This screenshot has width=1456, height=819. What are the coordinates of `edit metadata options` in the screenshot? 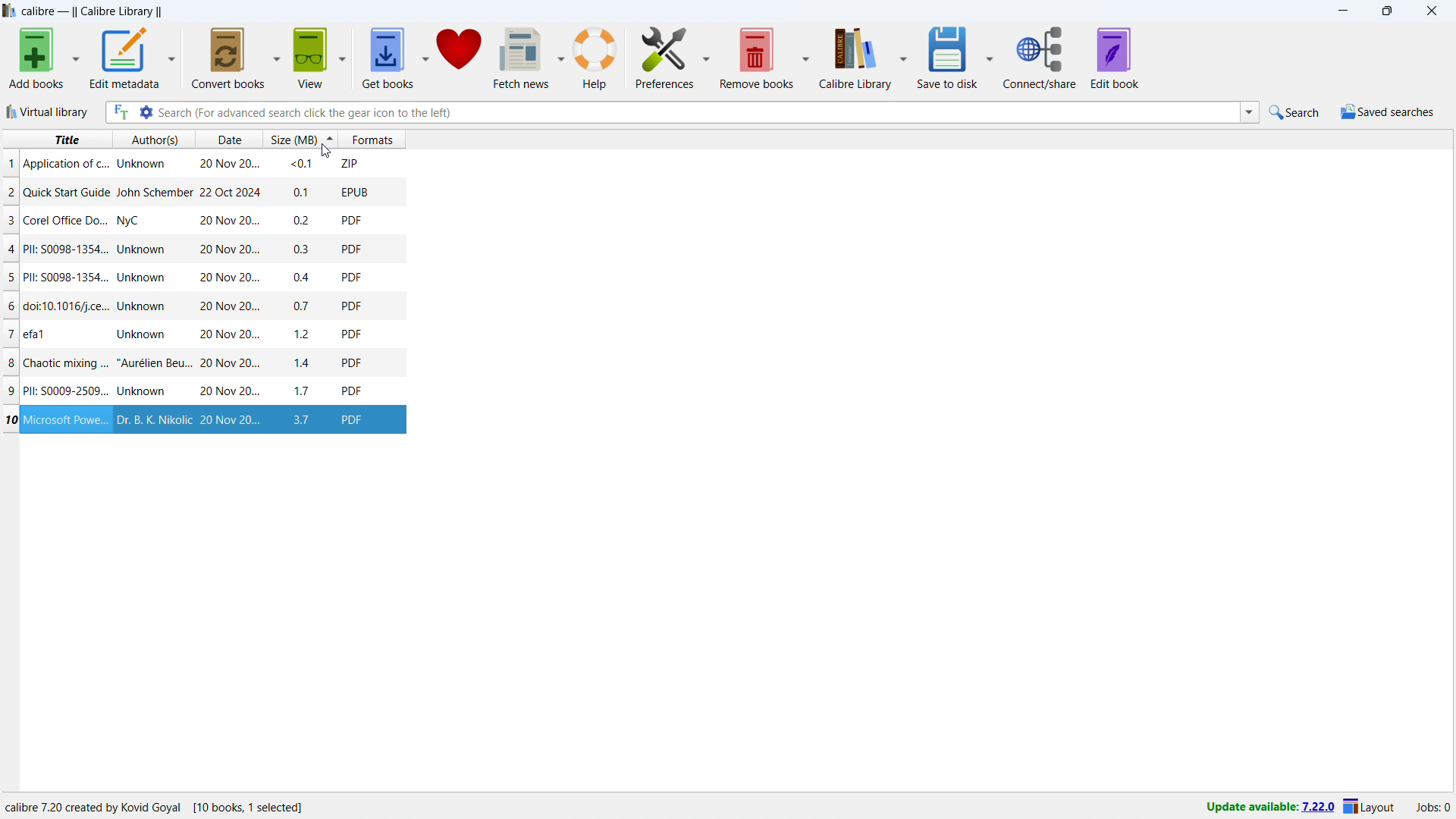 It's located at (172, 58).